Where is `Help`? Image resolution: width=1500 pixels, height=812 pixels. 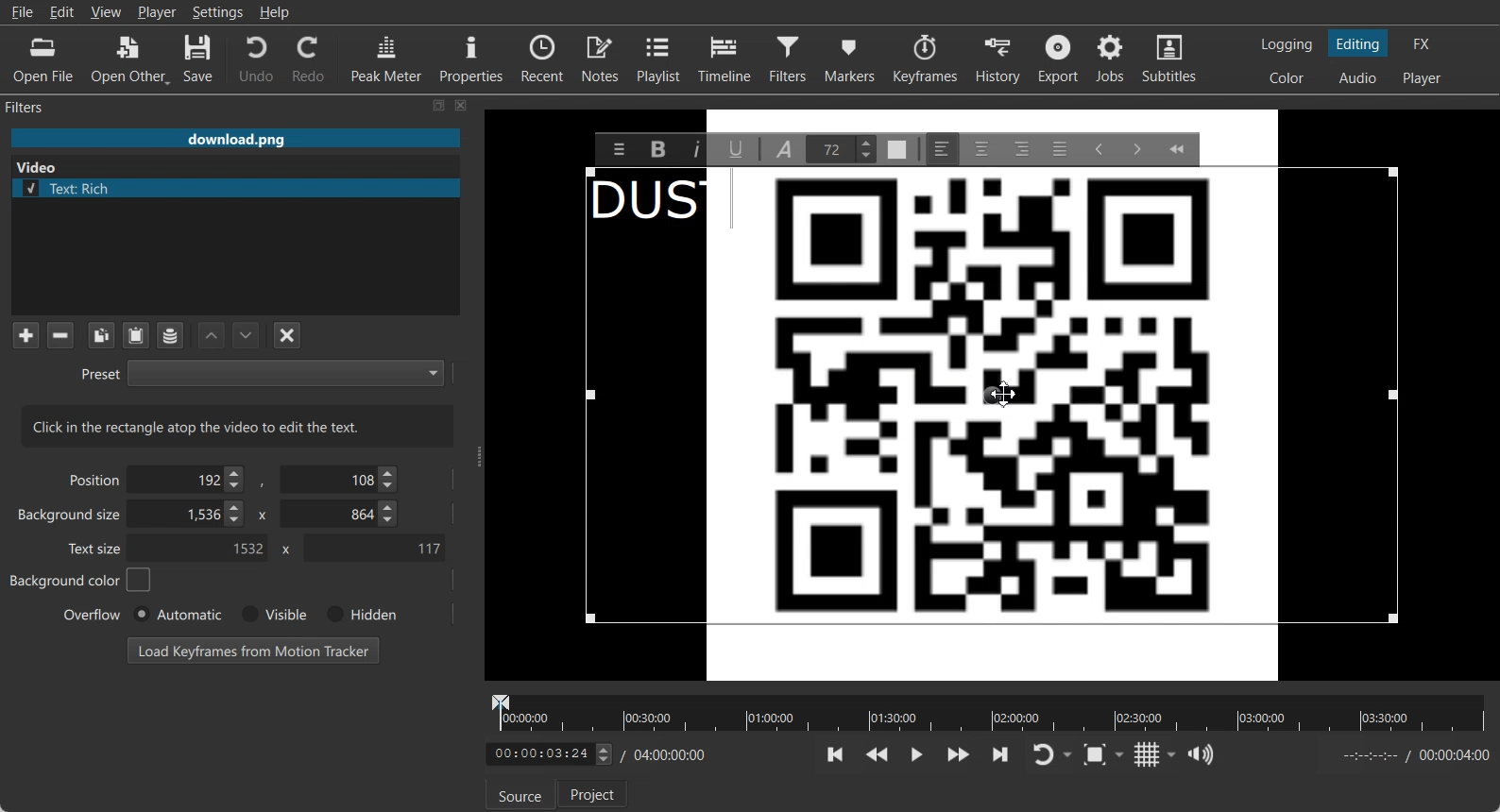 Help is located at coordinates (275, 12).